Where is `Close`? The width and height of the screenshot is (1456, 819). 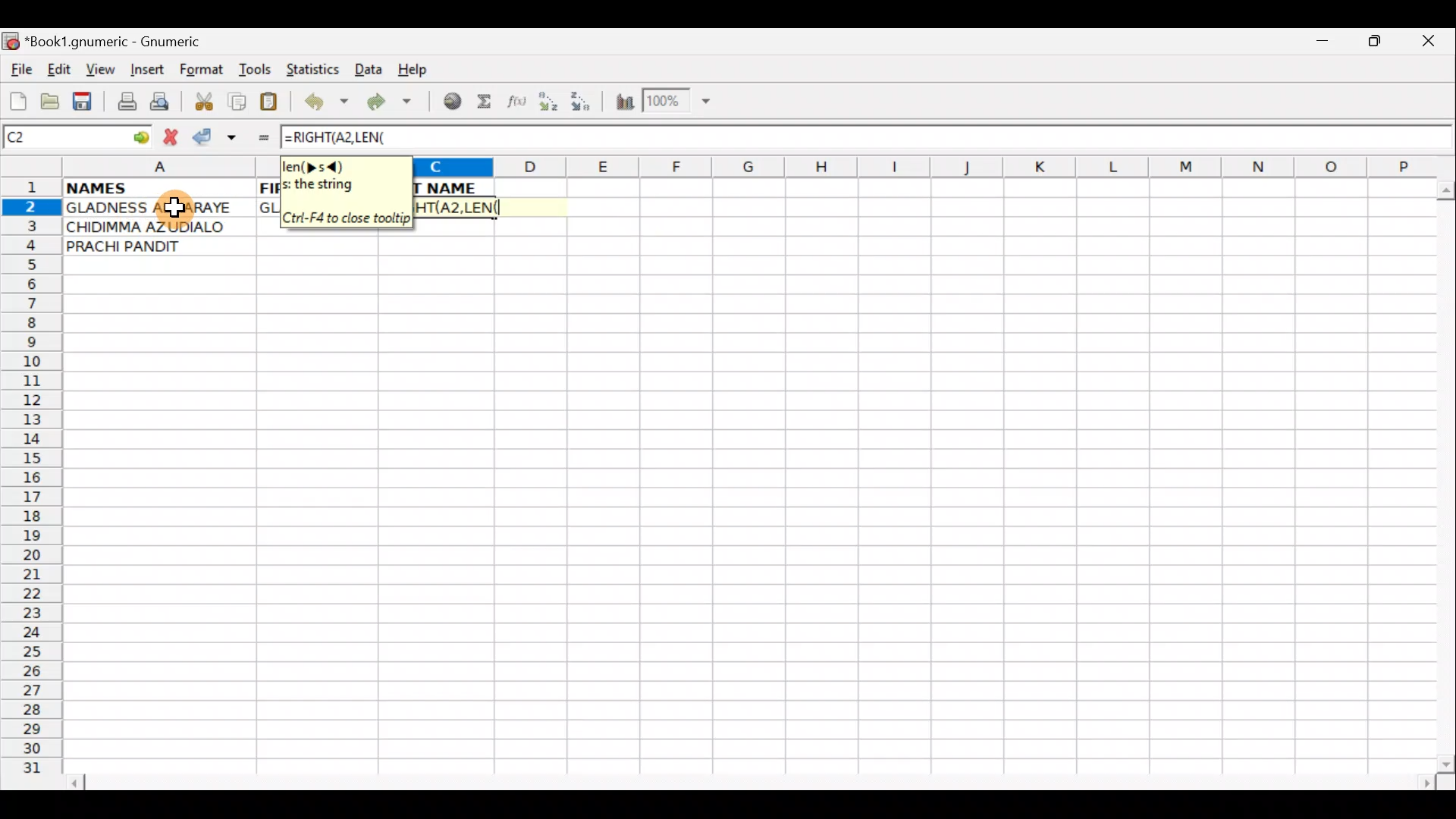
Close is located at coordinates (1432, 45).